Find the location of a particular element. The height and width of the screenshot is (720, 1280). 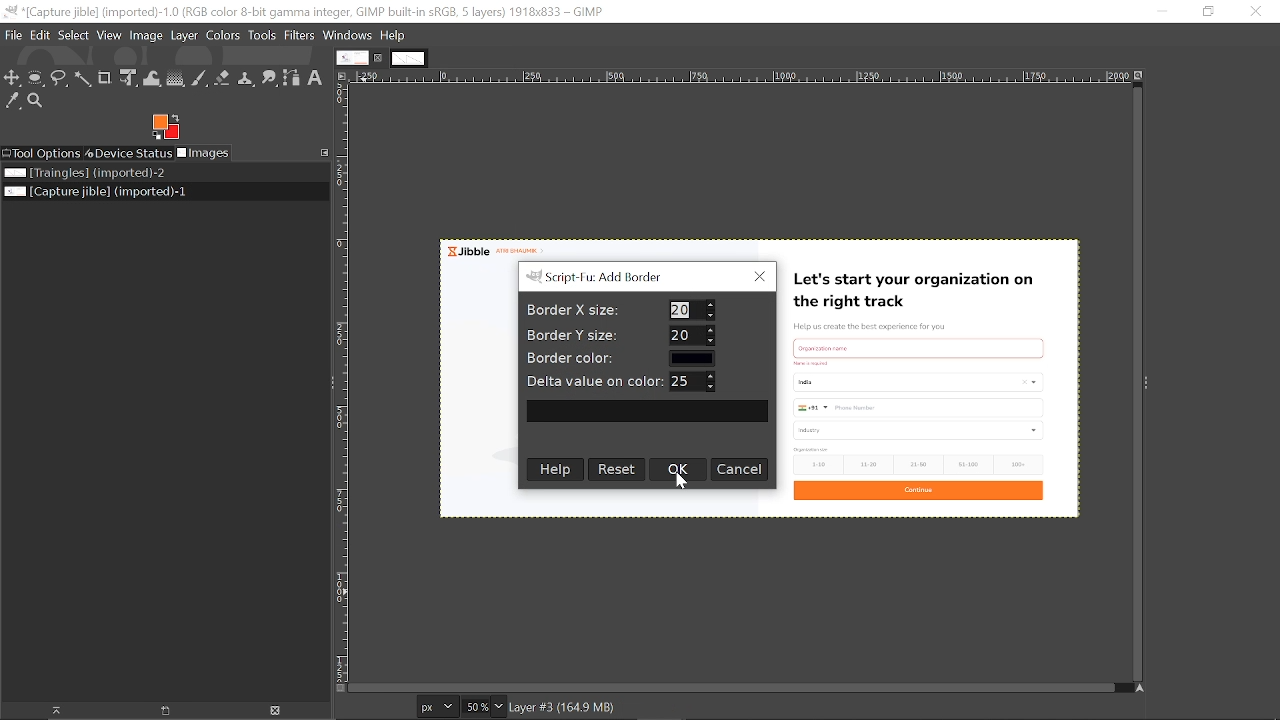

| Delta value on color: is located at coordinates (591, 384).